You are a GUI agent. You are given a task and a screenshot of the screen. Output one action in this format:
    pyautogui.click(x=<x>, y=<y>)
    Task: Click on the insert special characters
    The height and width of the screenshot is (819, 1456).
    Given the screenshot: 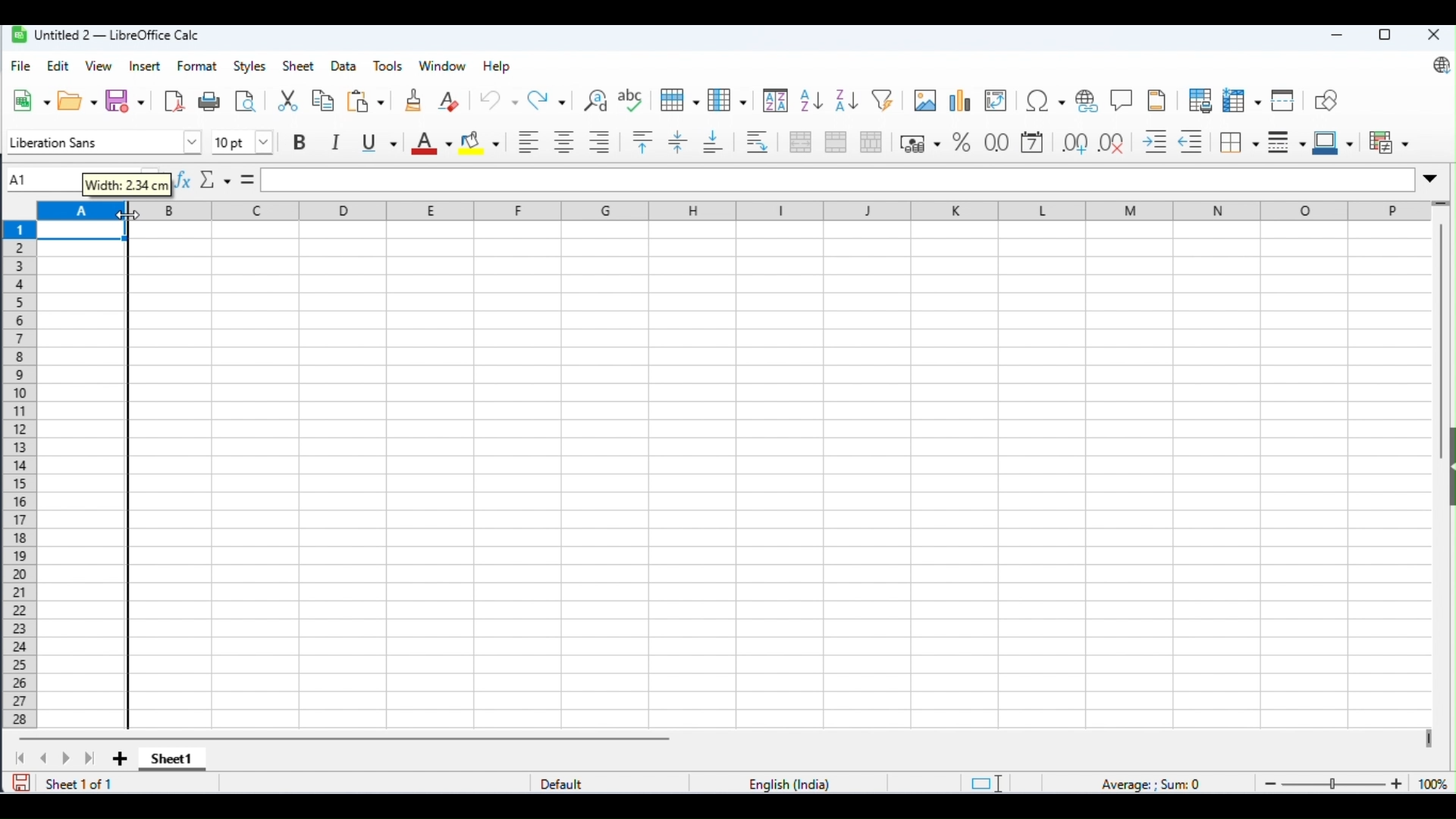 What is the action you would take?
    pyautogui.click(x=1046, y=102)
    